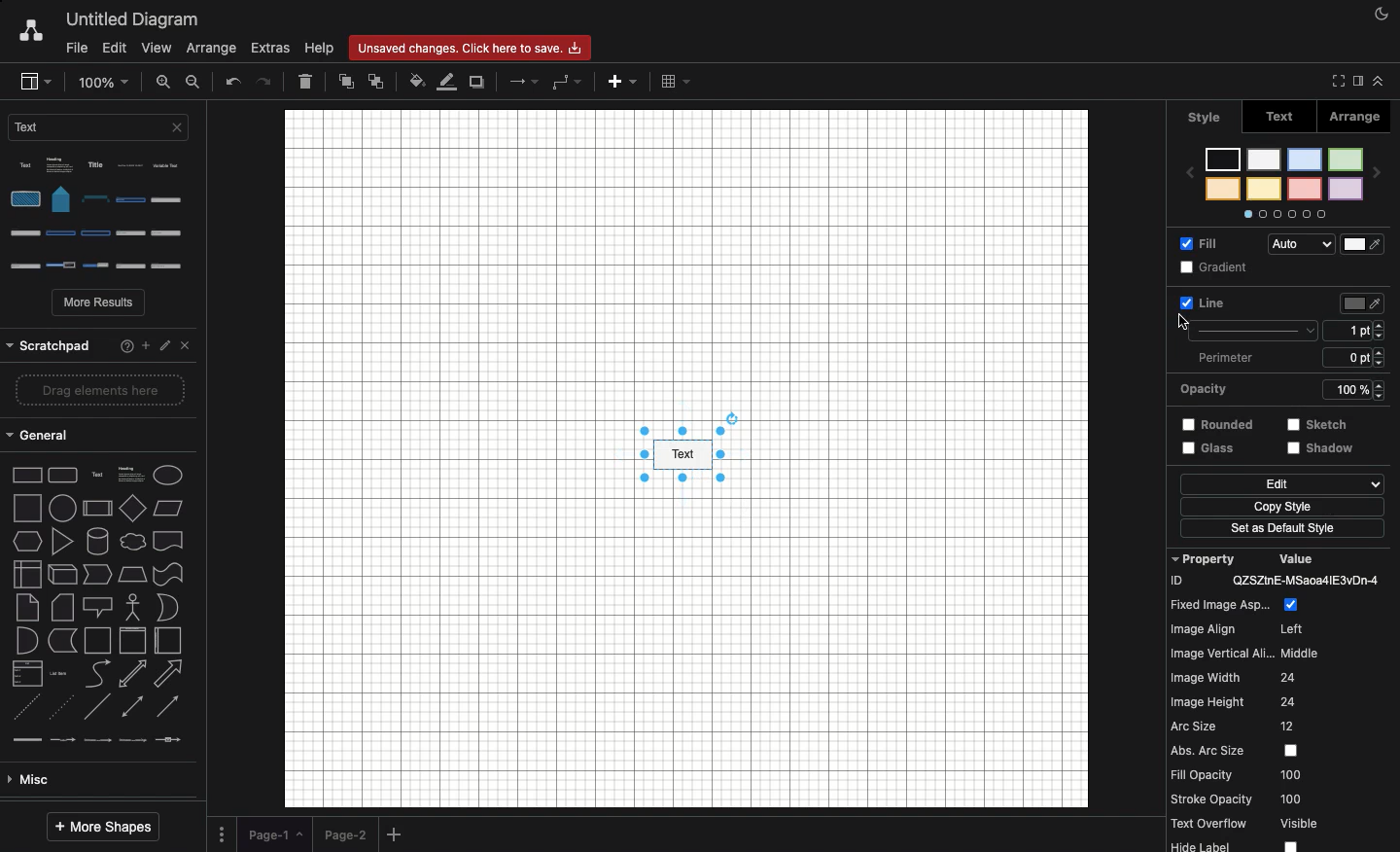 This screenshot has height=852, width=1400. I want to click on To front, so click(345, 85).